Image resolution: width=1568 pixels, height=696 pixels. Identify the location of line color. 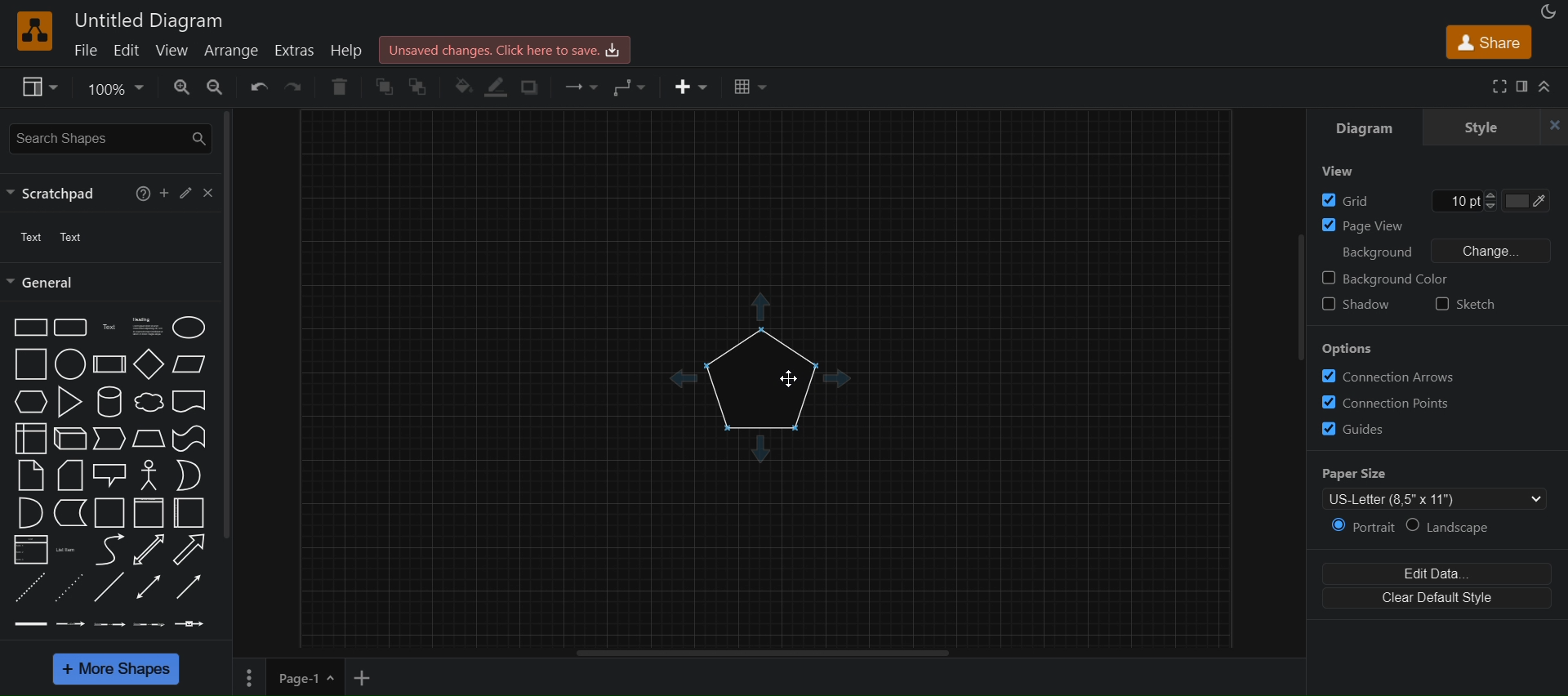
(497, 87).